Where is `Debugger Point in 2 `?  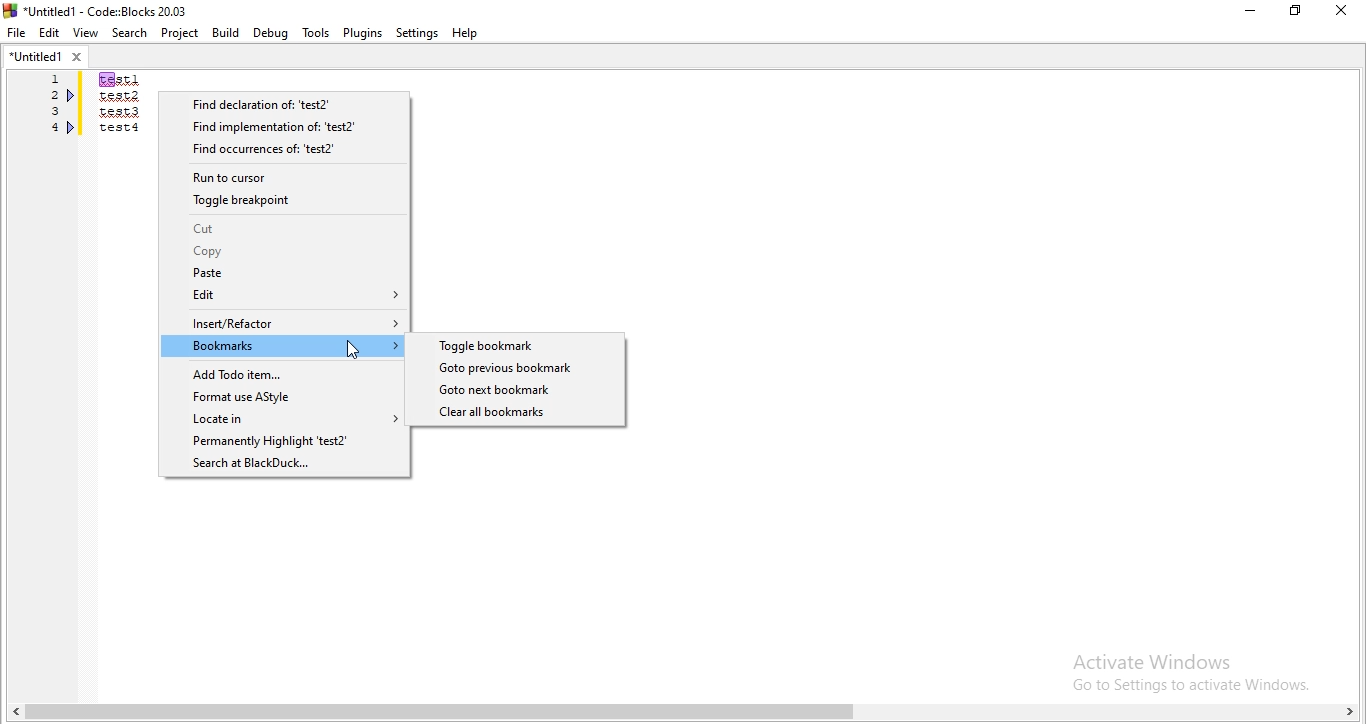 Debugger Point in 2  is located at coordinates (72, 95).